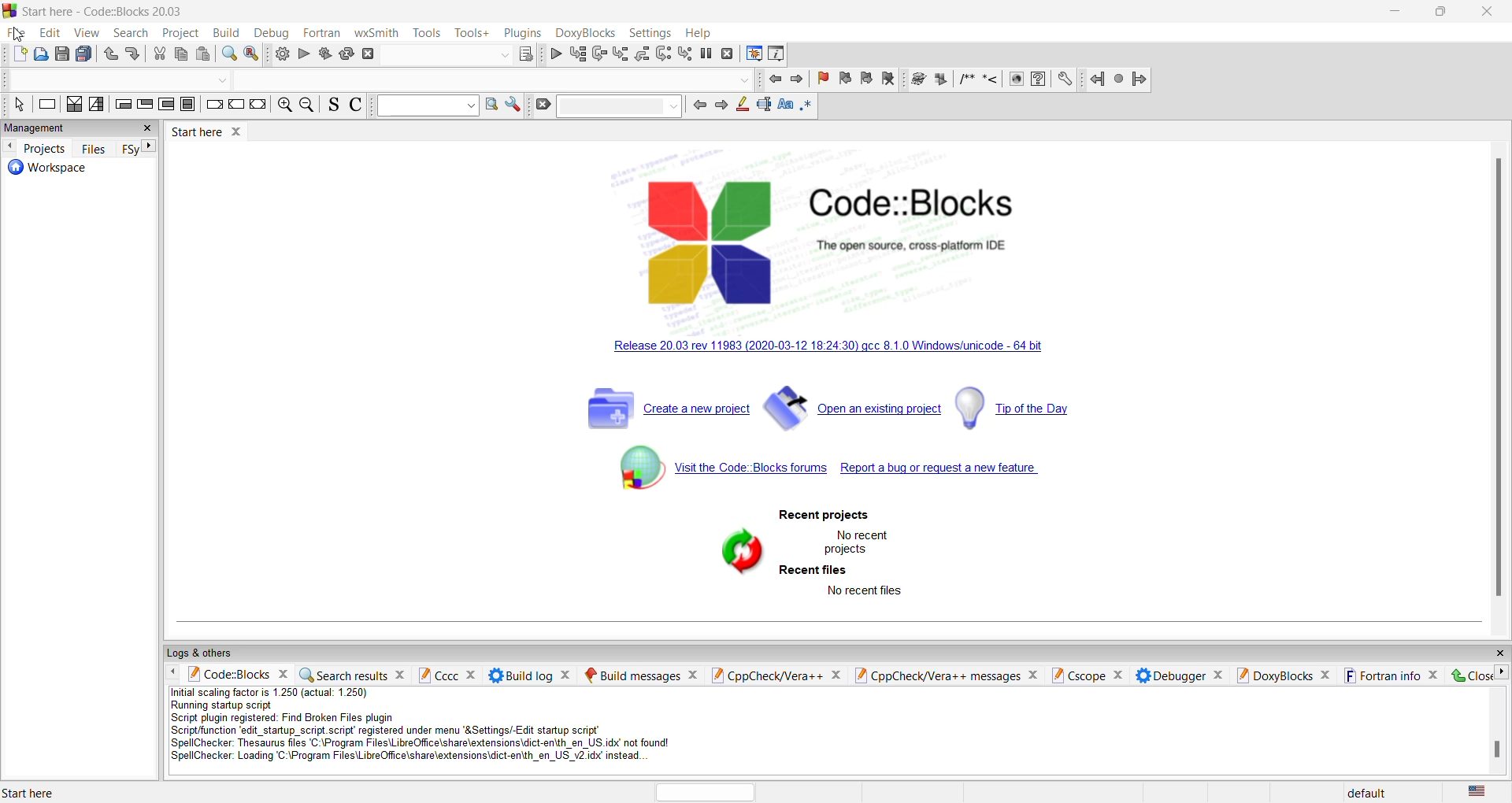 The width and height of the screenshot is (1512, 803). What do you see at coordinates (939, 80) in the screenshot?
I see `run` at bounding box center [939, 80].